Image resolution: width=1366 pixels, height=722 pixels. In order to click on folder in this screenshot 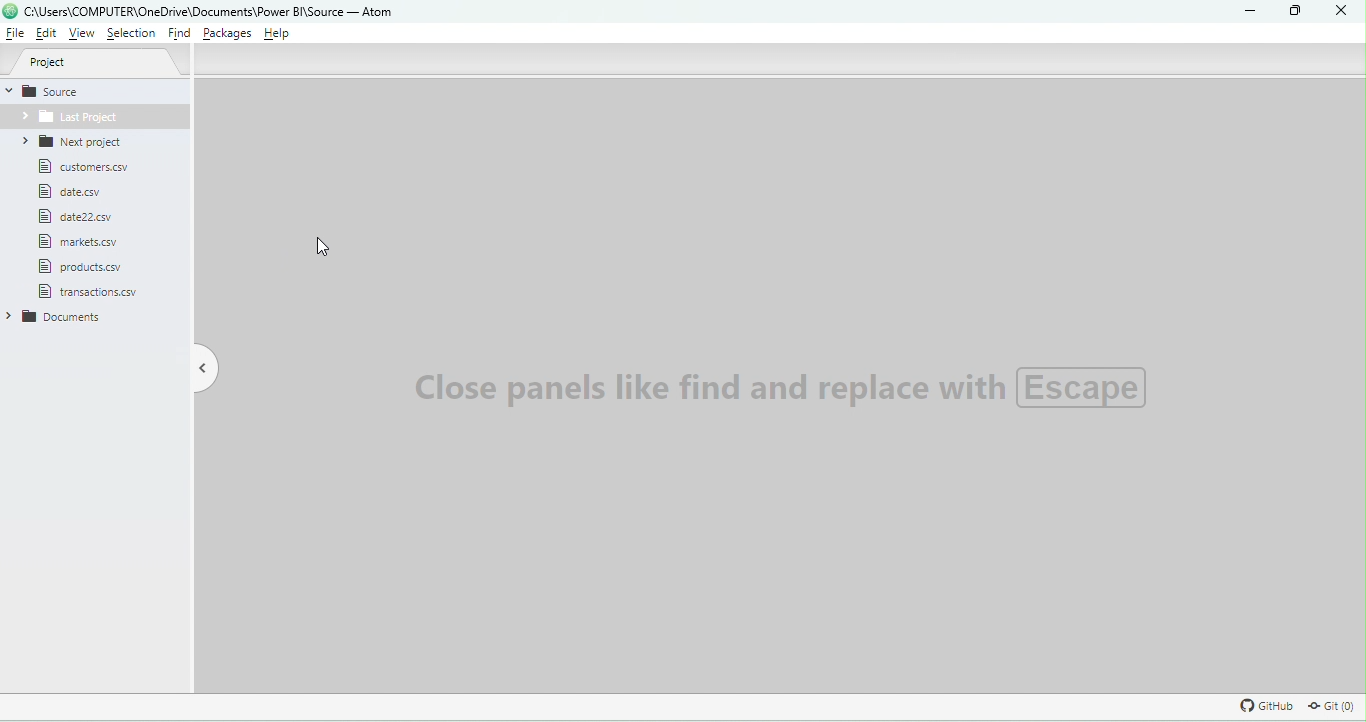, I will do `click(82, 293)`.